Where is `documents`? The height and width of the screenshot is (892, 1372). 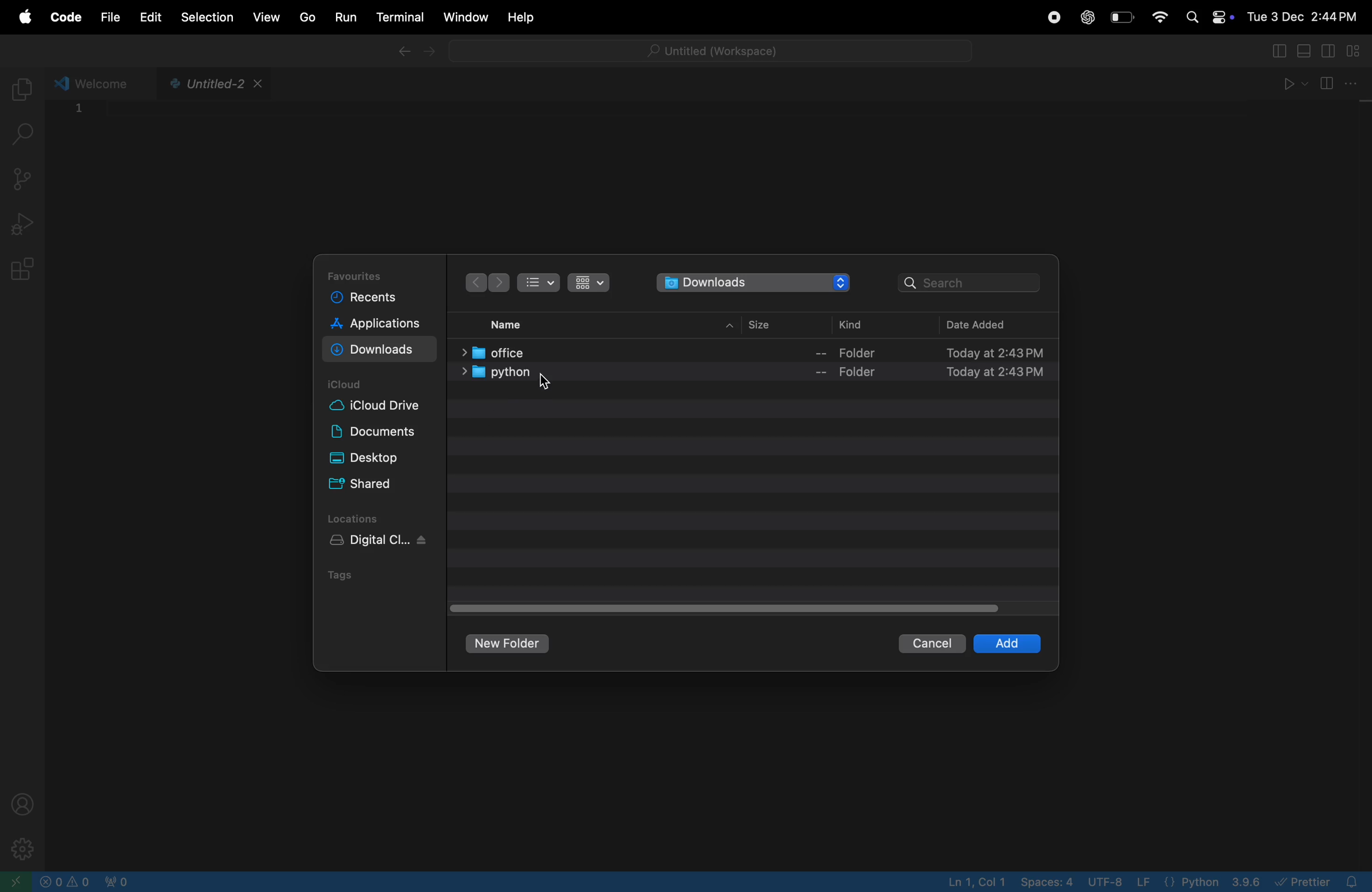 documents is located at coordinates (378, 433).